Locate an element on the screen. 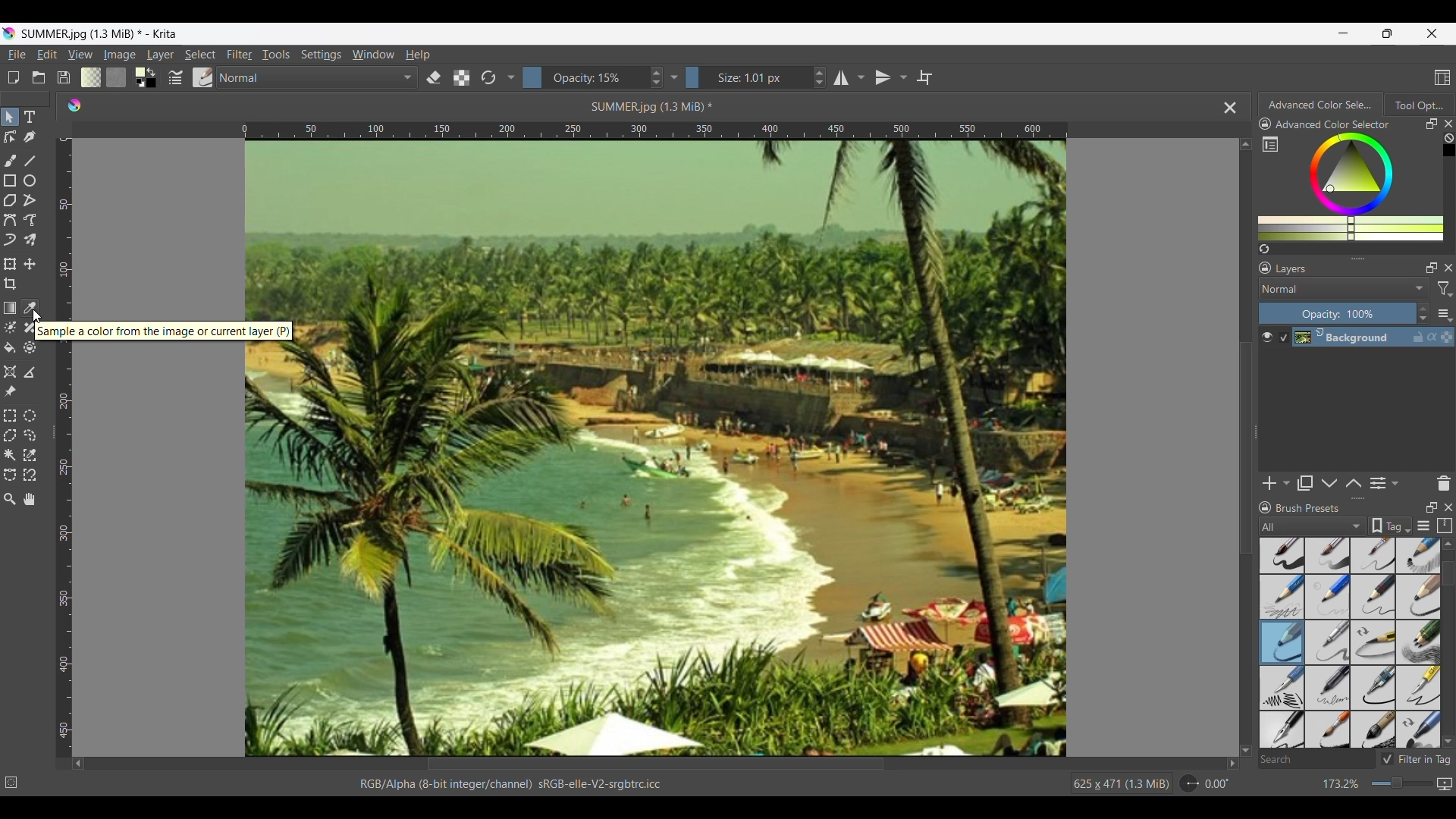 Image resolution: width=1456 pixels, height=819 pixels. Layer menu is located at coordinates (159, 55).